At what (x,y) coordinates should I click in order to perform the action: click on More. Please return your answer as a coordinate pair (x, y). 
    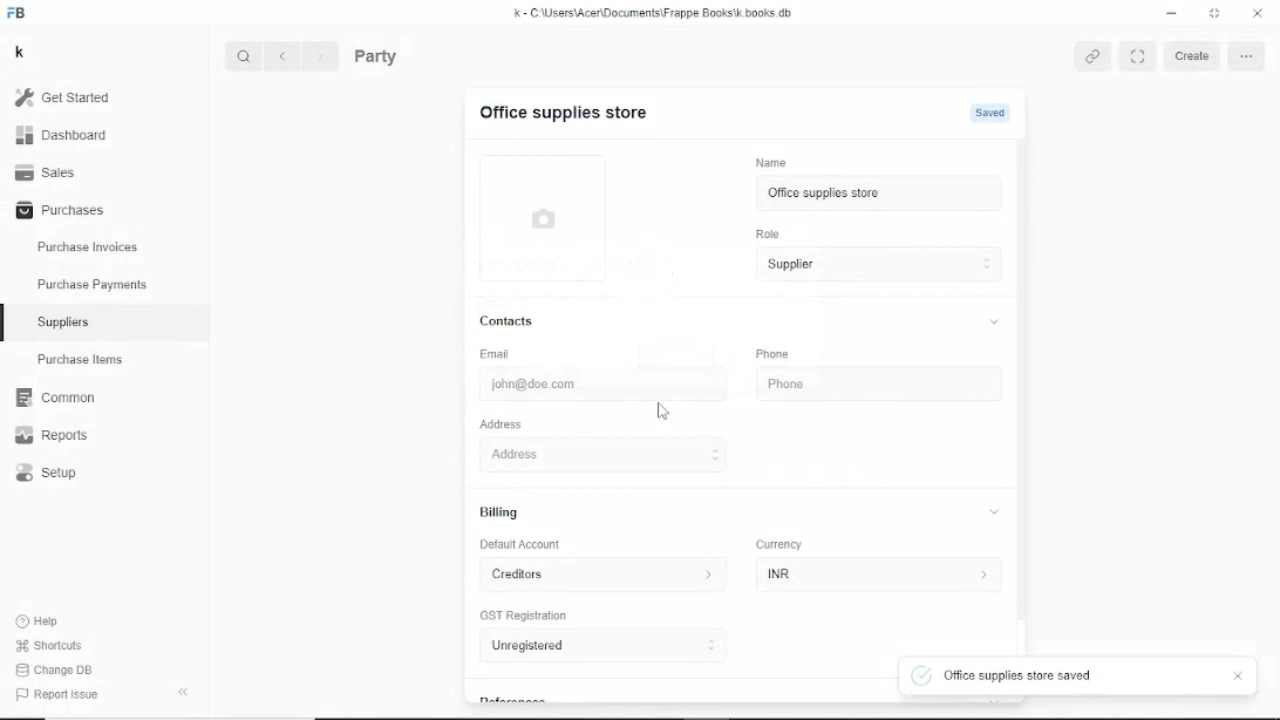
    Looking at the image, I should click on (1522, 56).